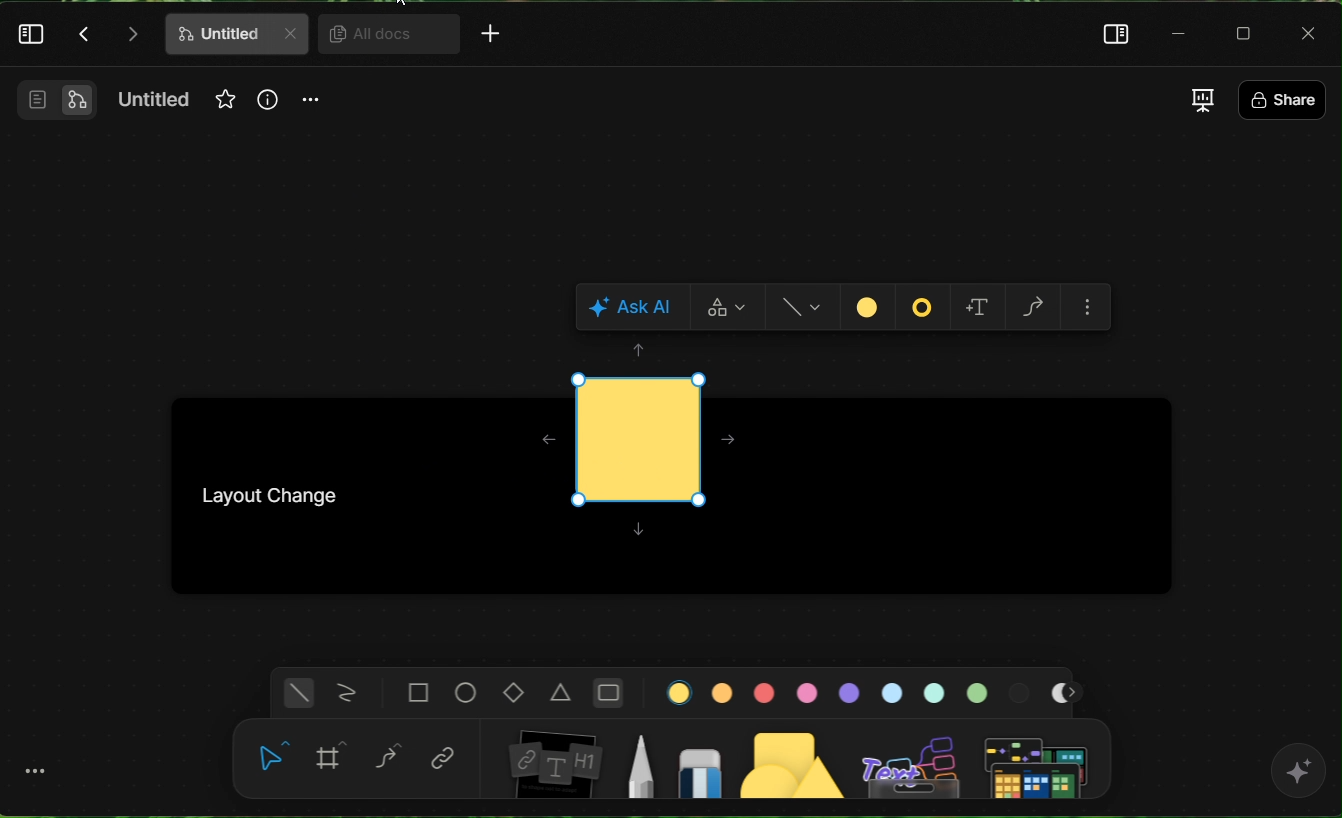 The height and width of the screenshot is (818, 1342). I want to click on Actions, so click(109, 34).